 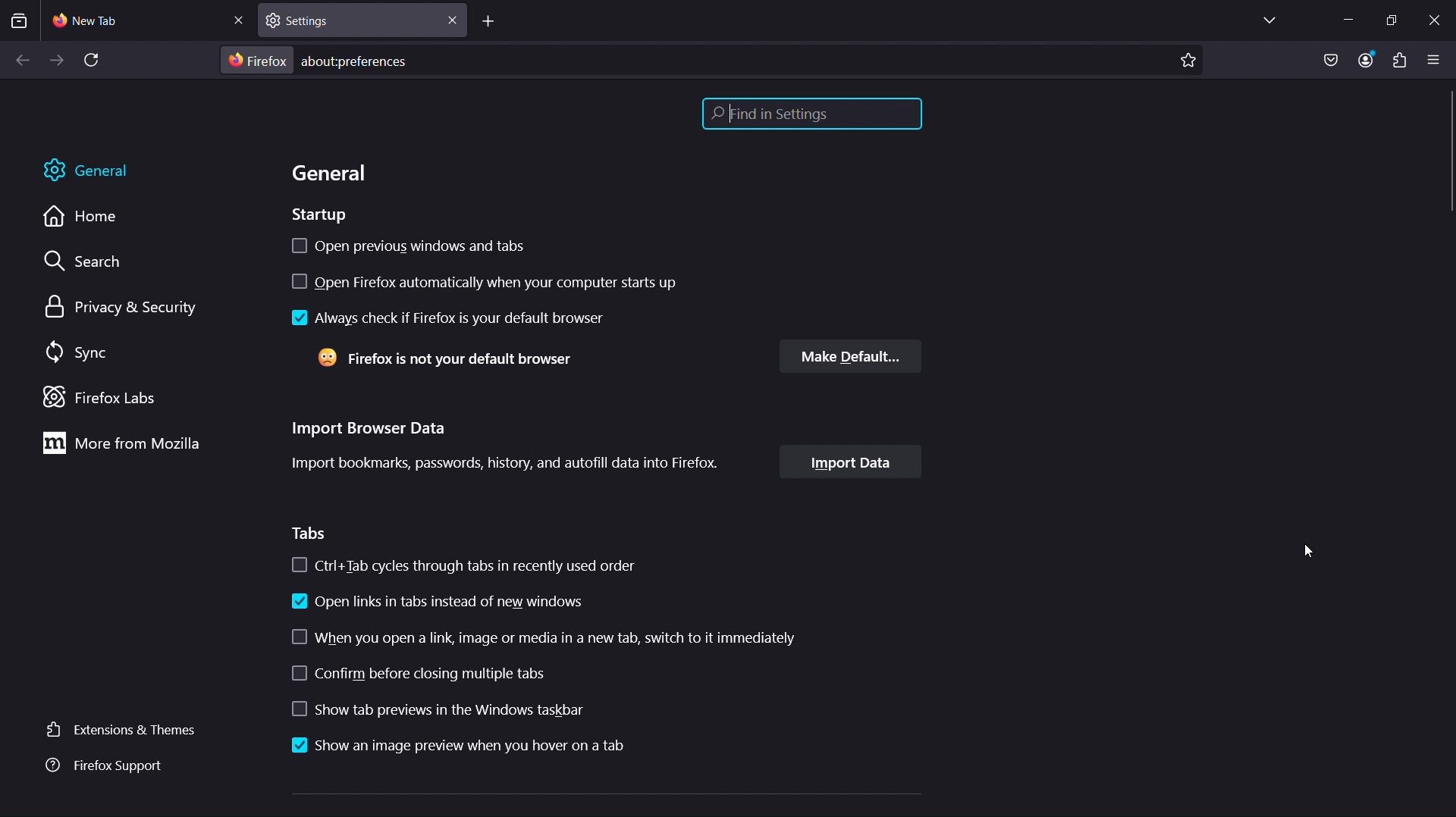 I want to click on Add tab, so click(x=492, y=21).